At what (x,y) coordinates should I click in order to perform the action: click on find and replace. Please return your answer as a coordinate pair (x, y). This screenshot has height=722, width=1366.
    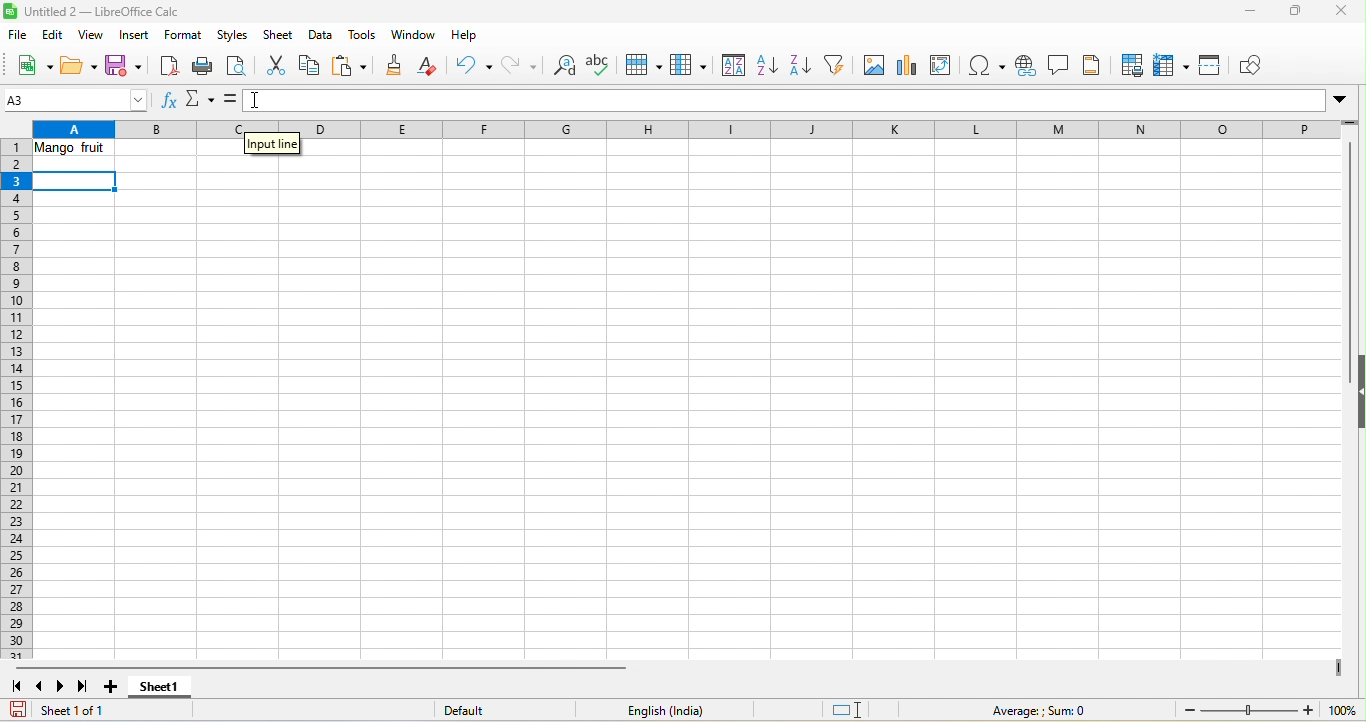
    Looking at the image, I should click on (561, 67).